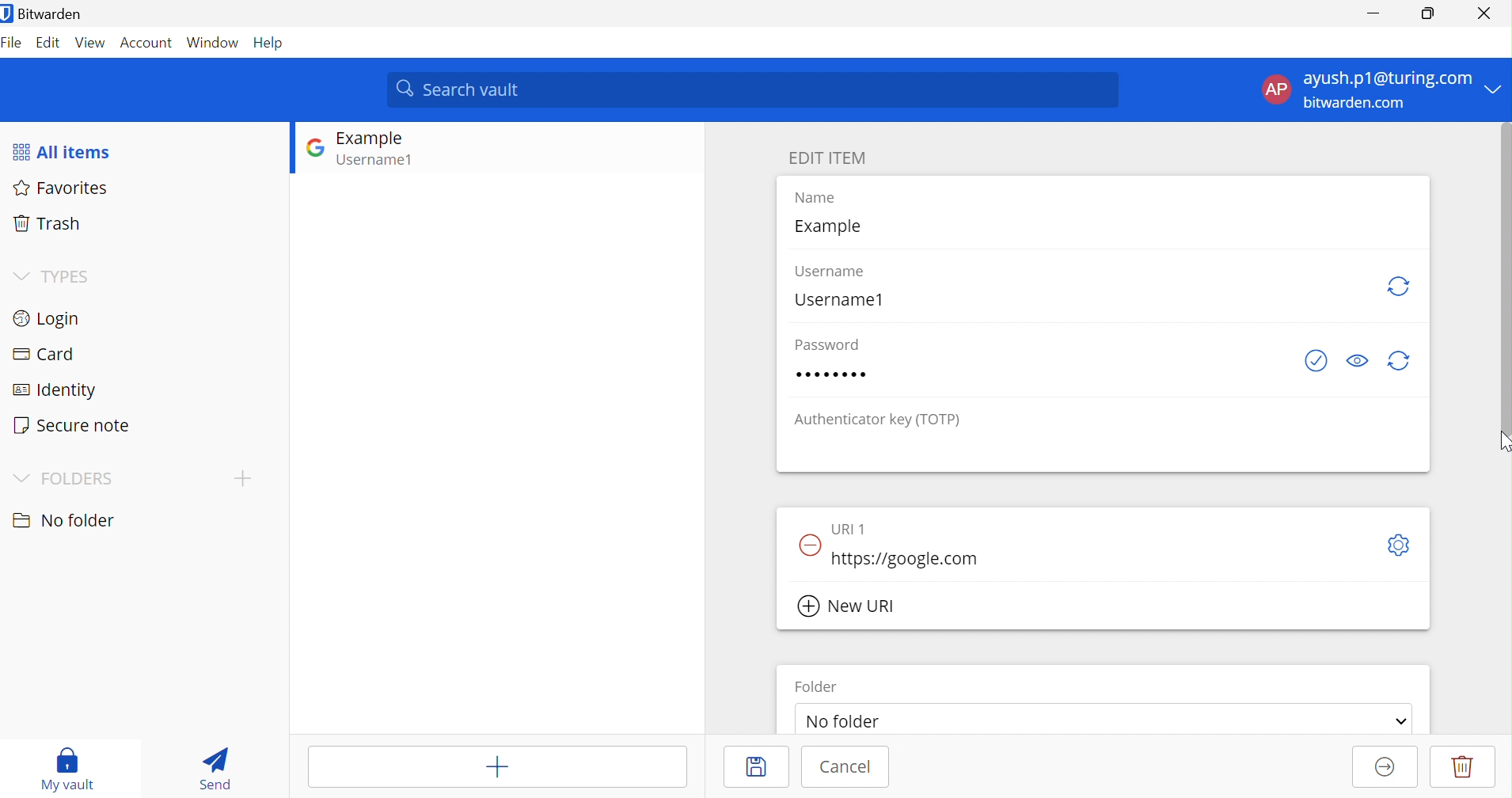 The width and height of the screenshot is (1512, 798). Describe the element at coordinates (1502, 443) in the screenshot. I see `Cursor` at that location.